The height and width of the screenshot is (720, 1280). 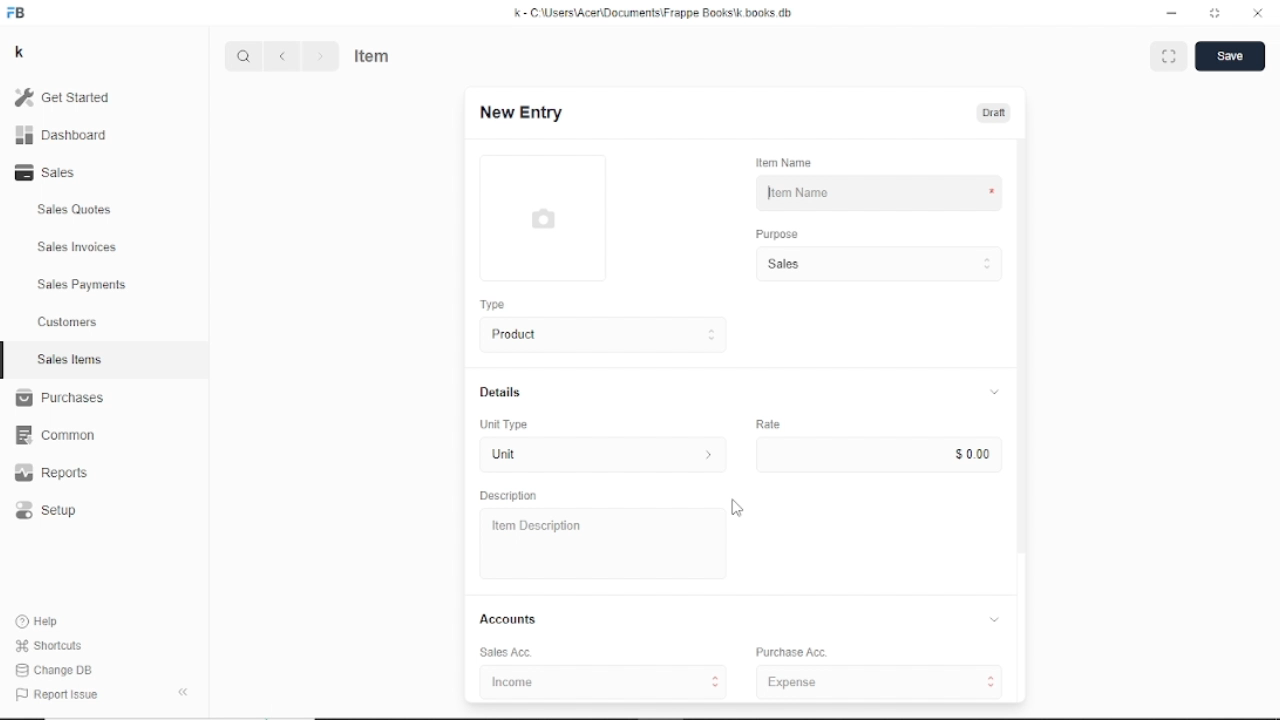 What do you see at coordinates (55, 436) in the screenshot?
I see `Common` at bounding box center [55, 436].